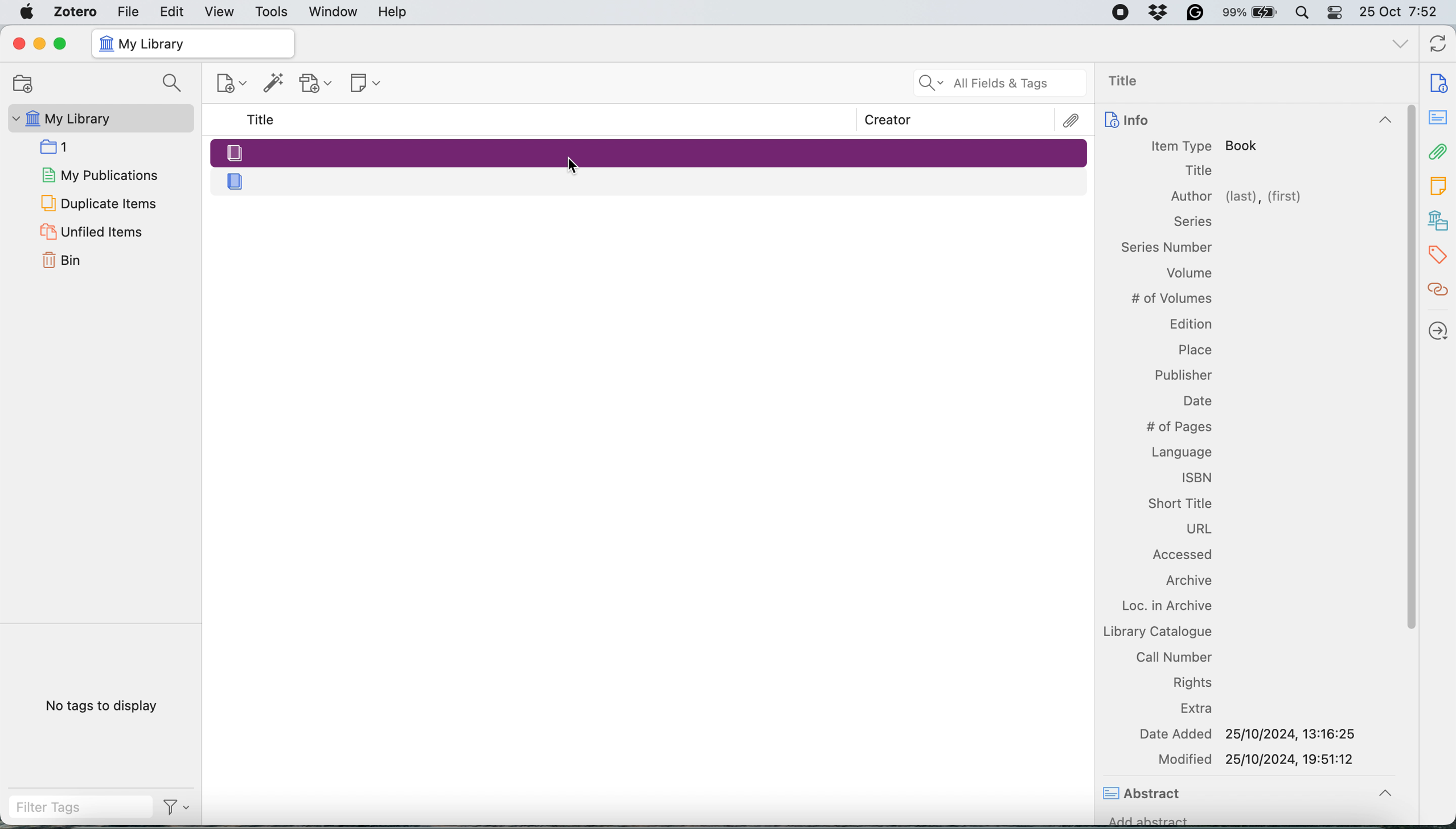  What do you see at coordinates (1441, 255) in the screenshot?
I see `Tags` at bounding box center [1441, 255].